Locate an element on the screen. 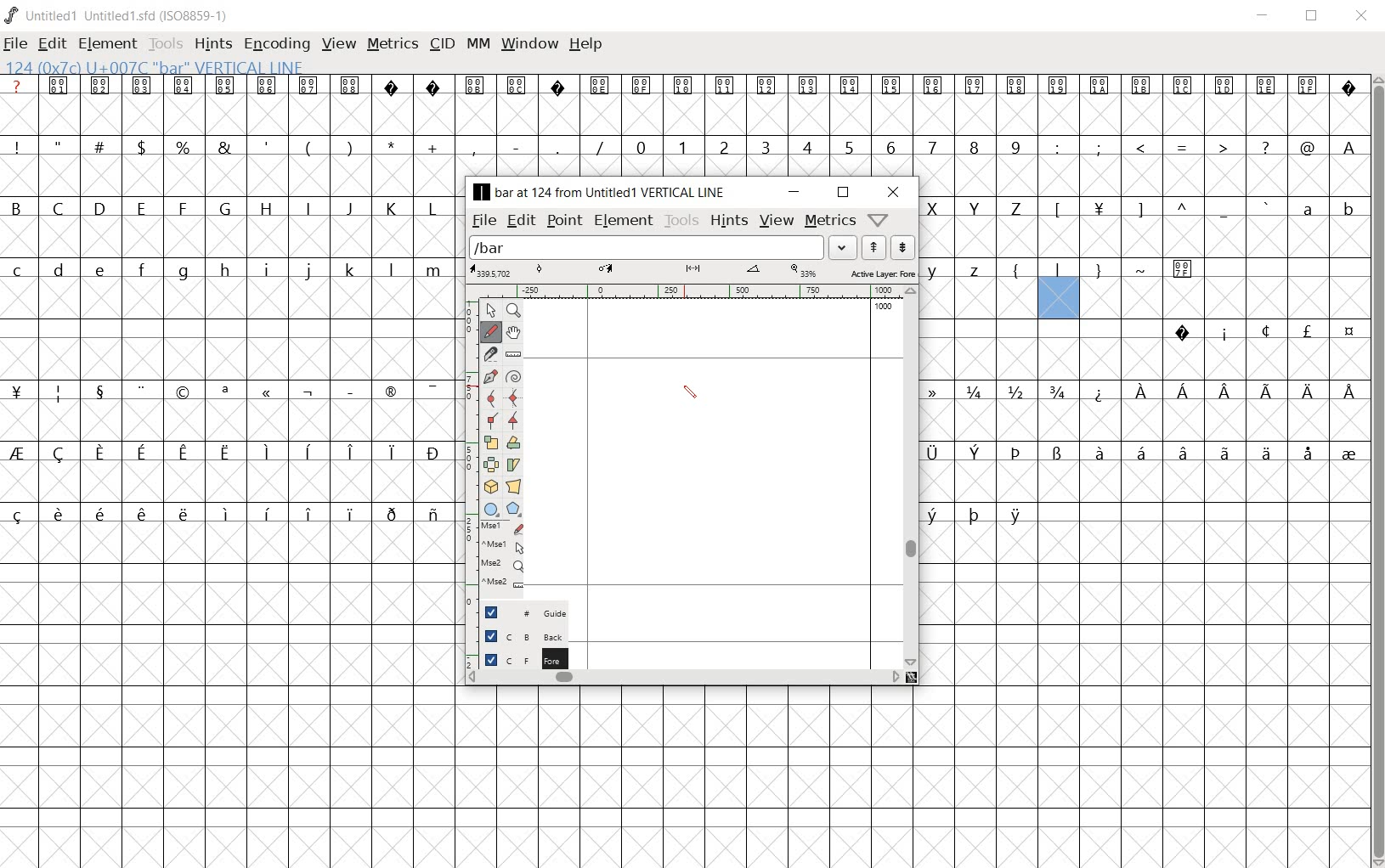  show the previous word list is located at coordinates (873, 247).